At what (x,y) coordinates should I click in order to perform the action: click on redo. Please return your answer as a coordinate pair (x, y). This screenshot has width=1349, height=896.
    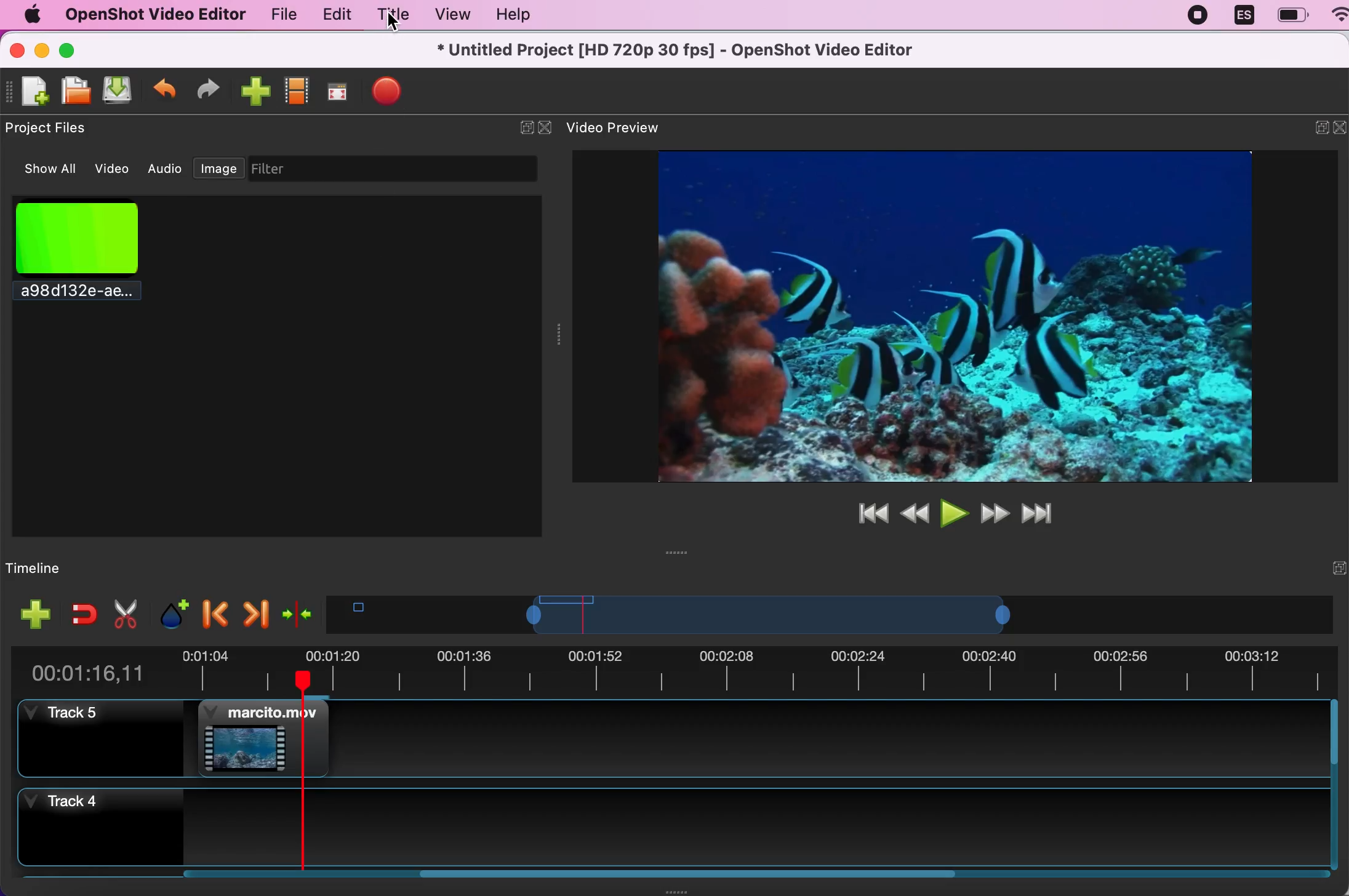
    Looking at the image, I should click on (214, 89).